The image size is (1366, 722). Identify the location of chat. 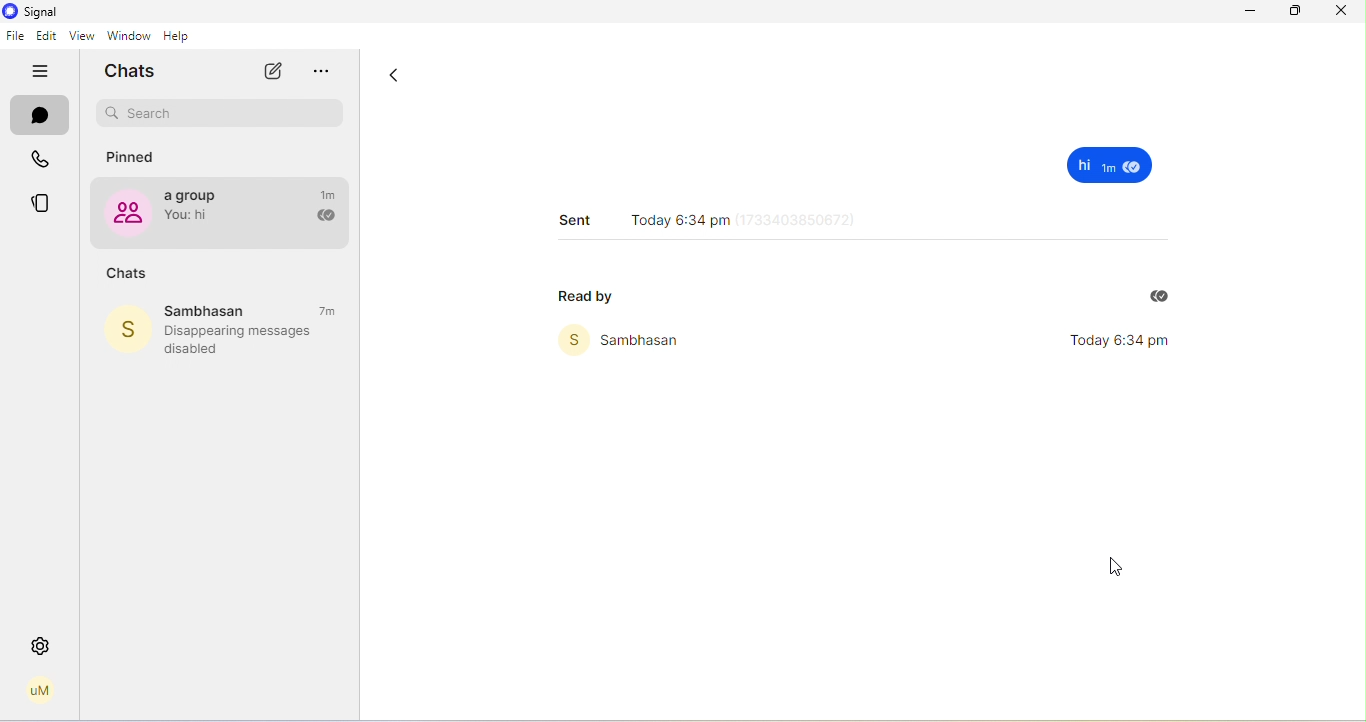
(41, 118).